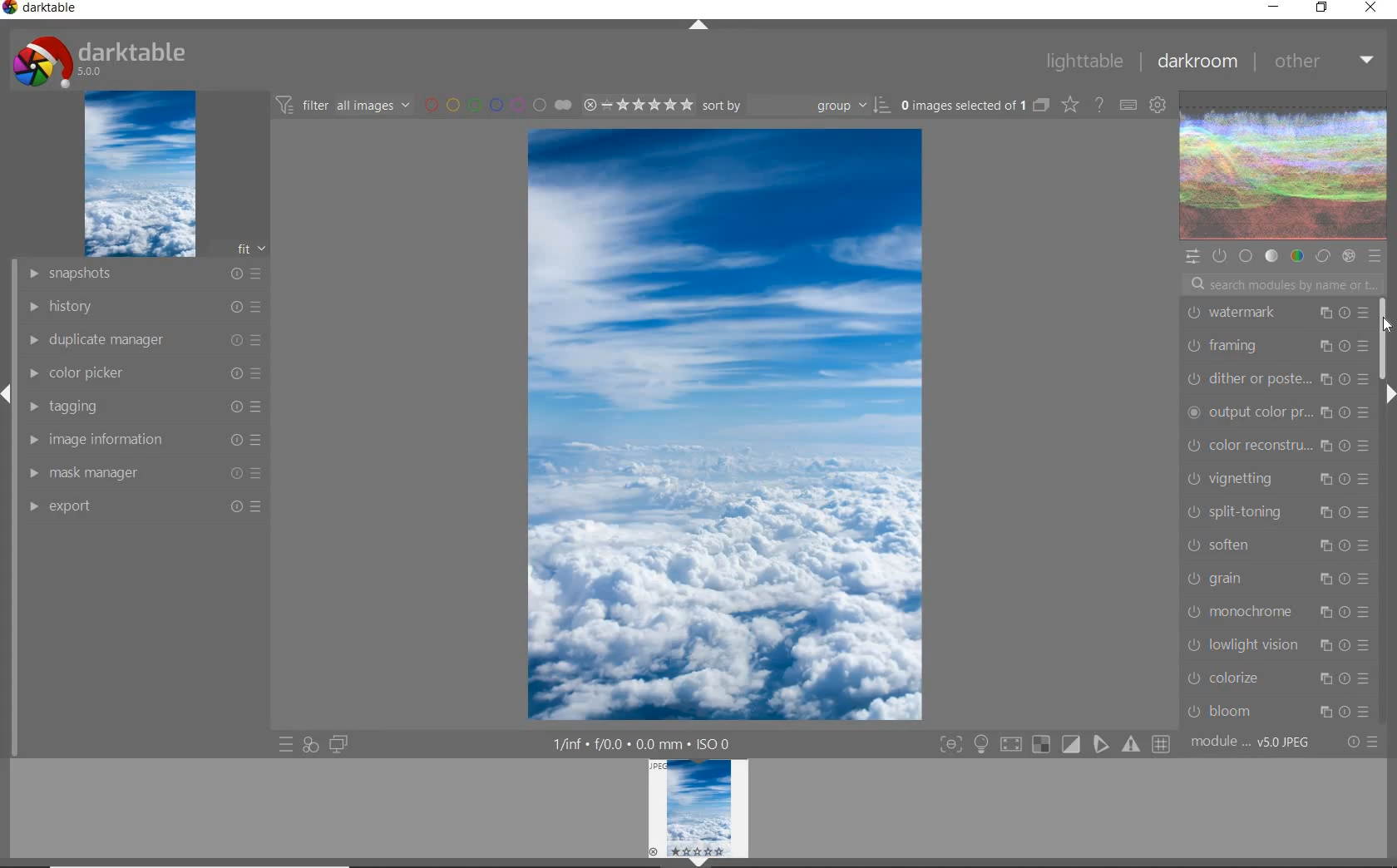 The height and width of the screenshot is (868, 1397). I want to click on QUICK ACCESS FOR APLYING ANY OF YOUR STYLES, so click(310, 745).